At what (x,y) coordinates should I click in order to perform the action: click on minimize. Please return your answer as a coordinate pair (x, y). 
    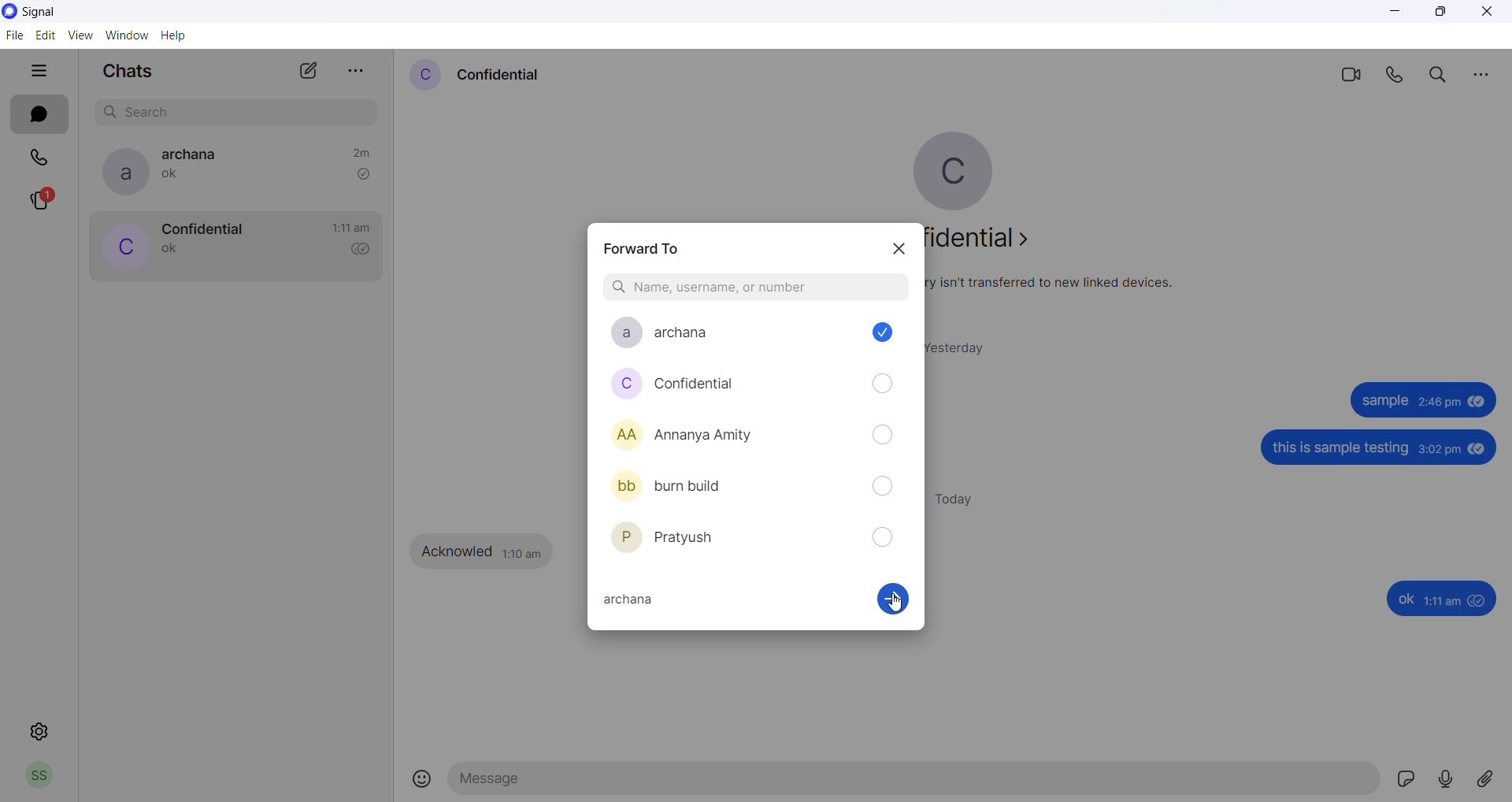
    Looking at the image, I should click on (1397, 16).